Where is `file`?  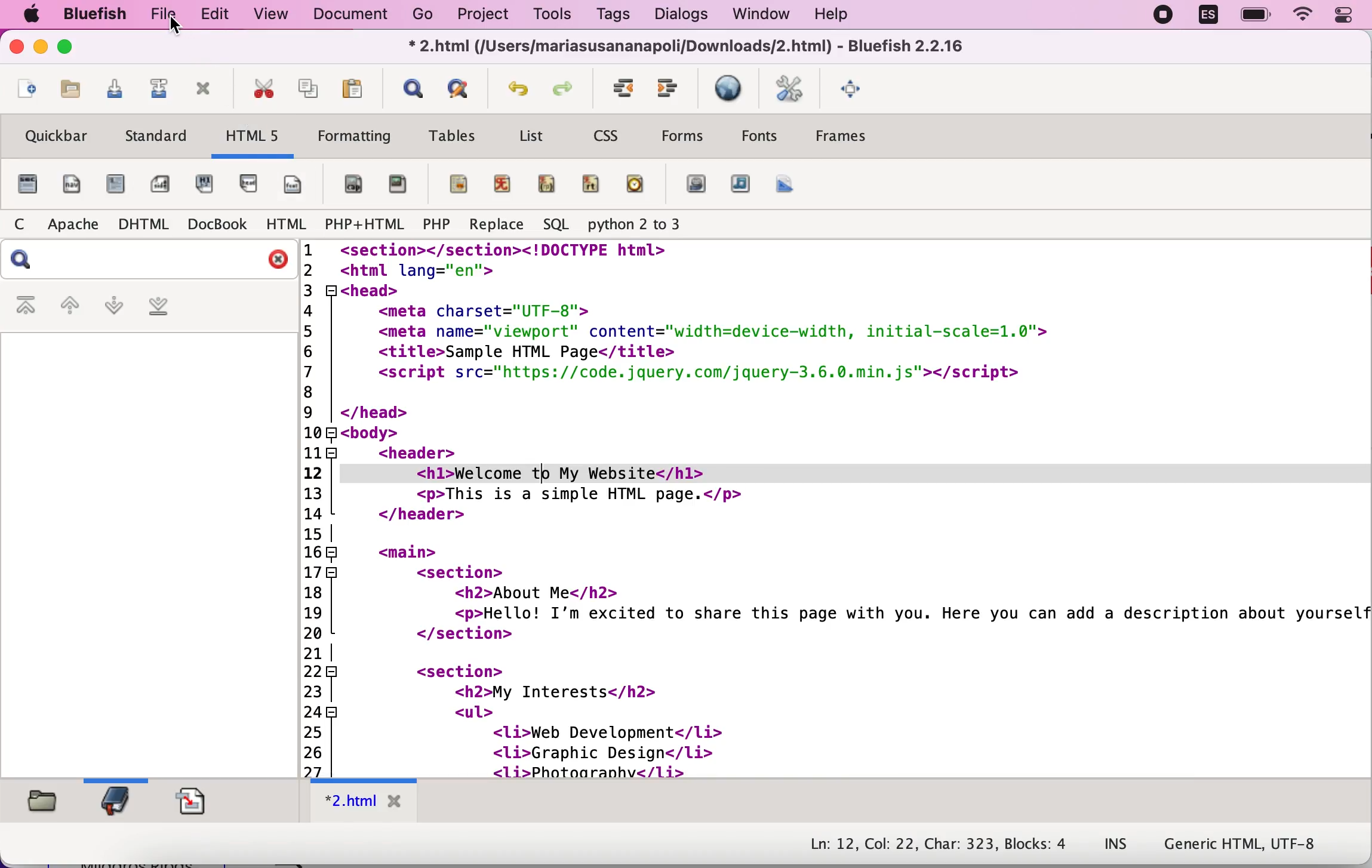
file is located at coordinates (161, 15).